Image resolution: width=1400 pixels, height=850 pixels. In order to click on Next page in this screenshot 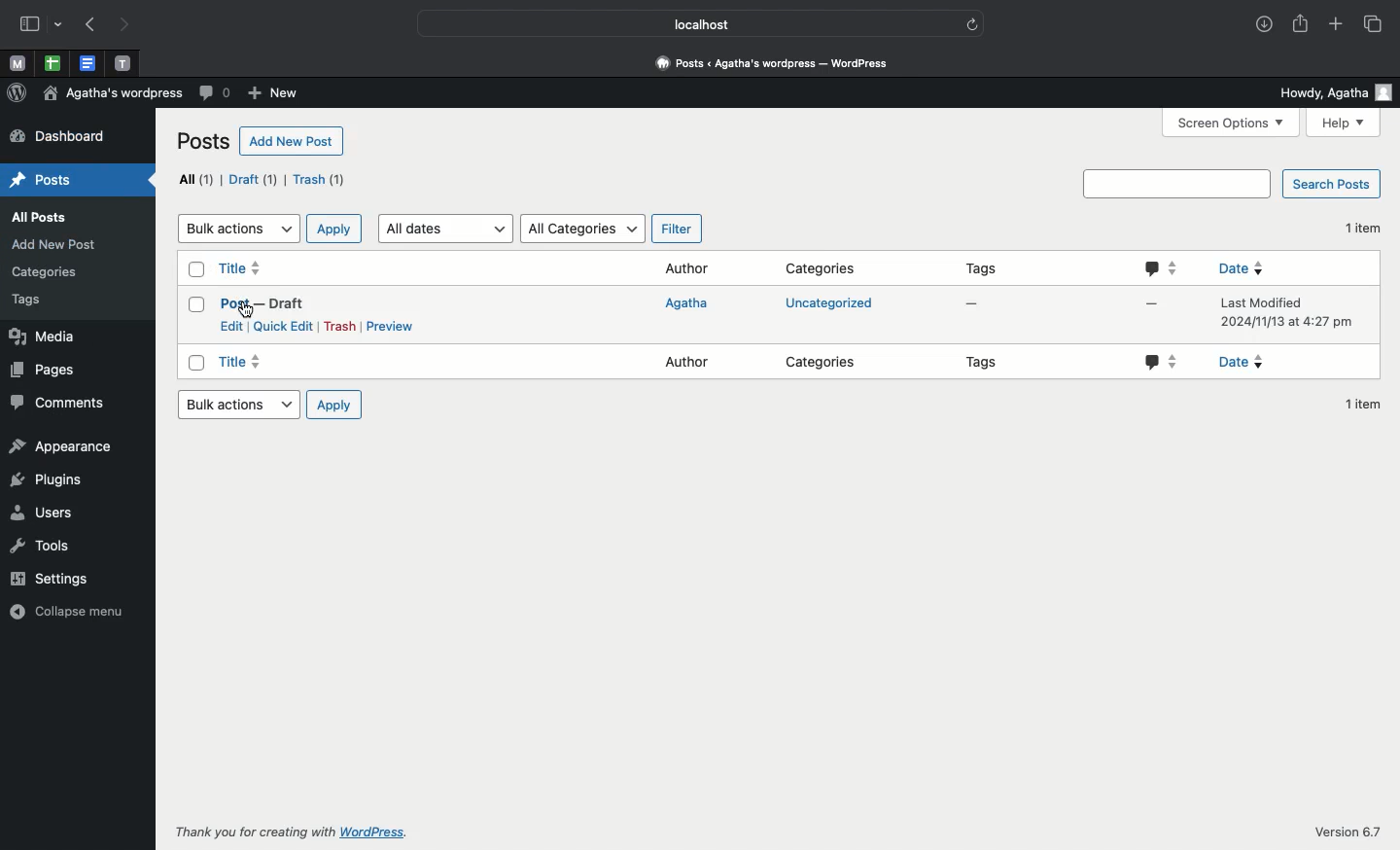, I will do `click(130, 25)`.